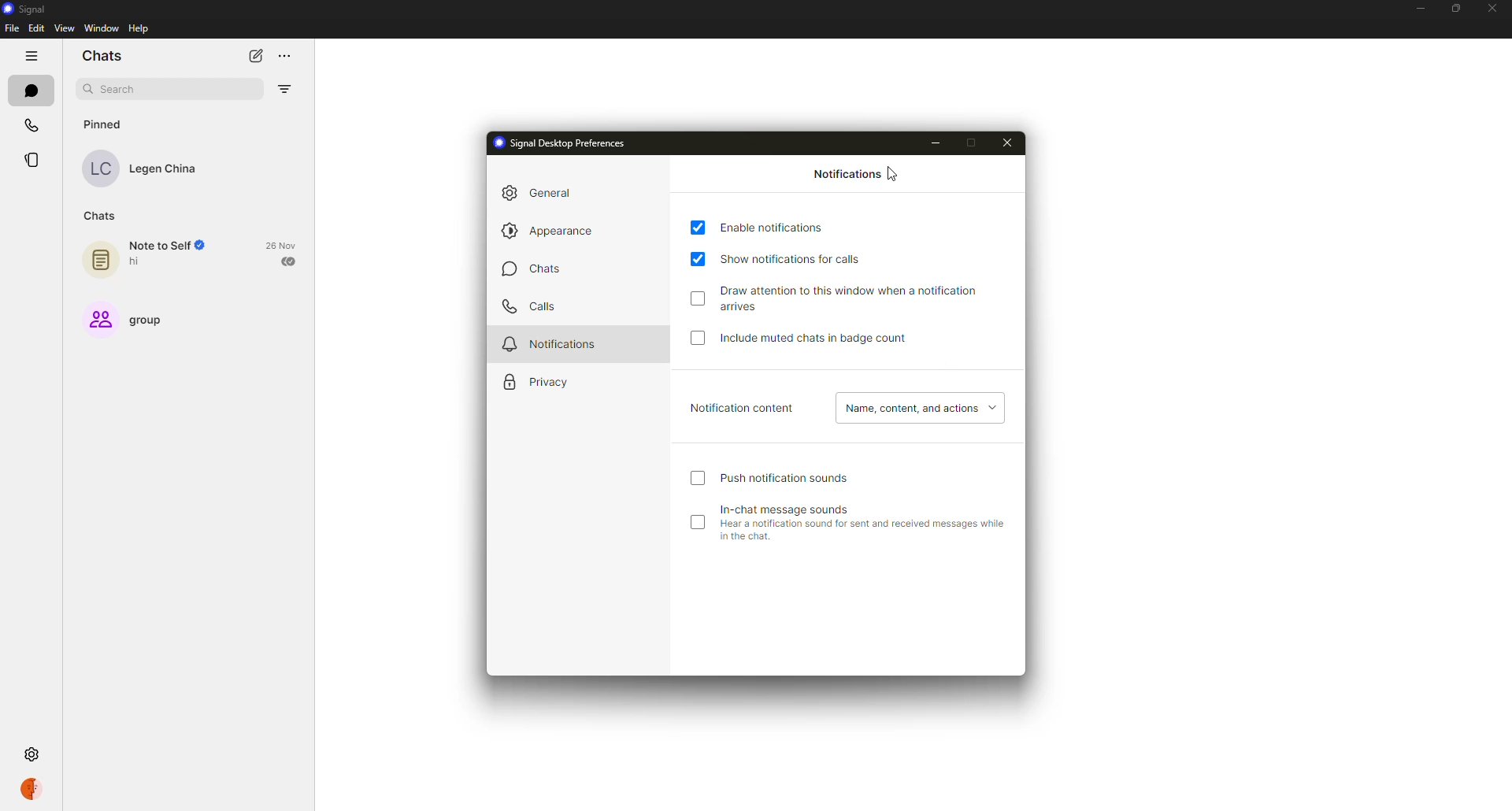 The width and height of the screenshot is (1512, 811). I want to click on minimize, so click(1418, 9).